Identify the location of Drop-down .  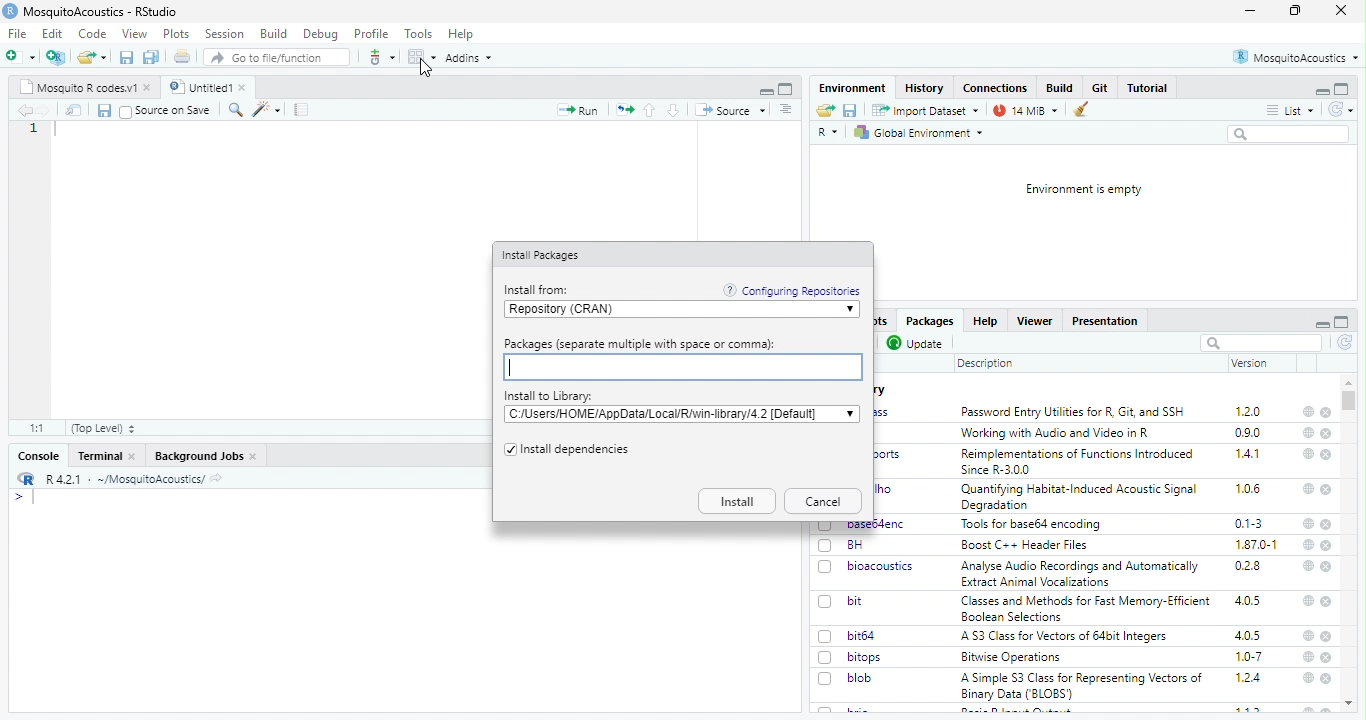
(851, 310).